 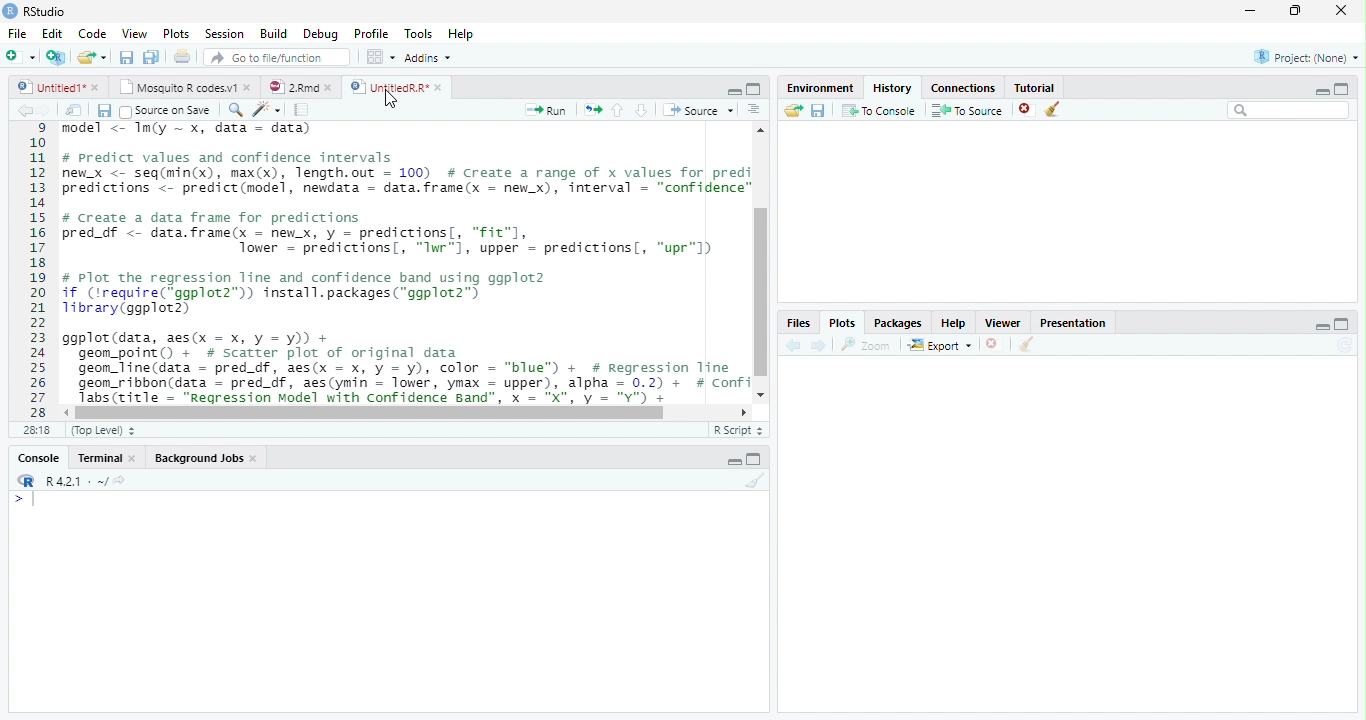 What do you see at coordinates (59, 86) in the screenshot?
I see `Untitled` at bounding box center [59, 86].